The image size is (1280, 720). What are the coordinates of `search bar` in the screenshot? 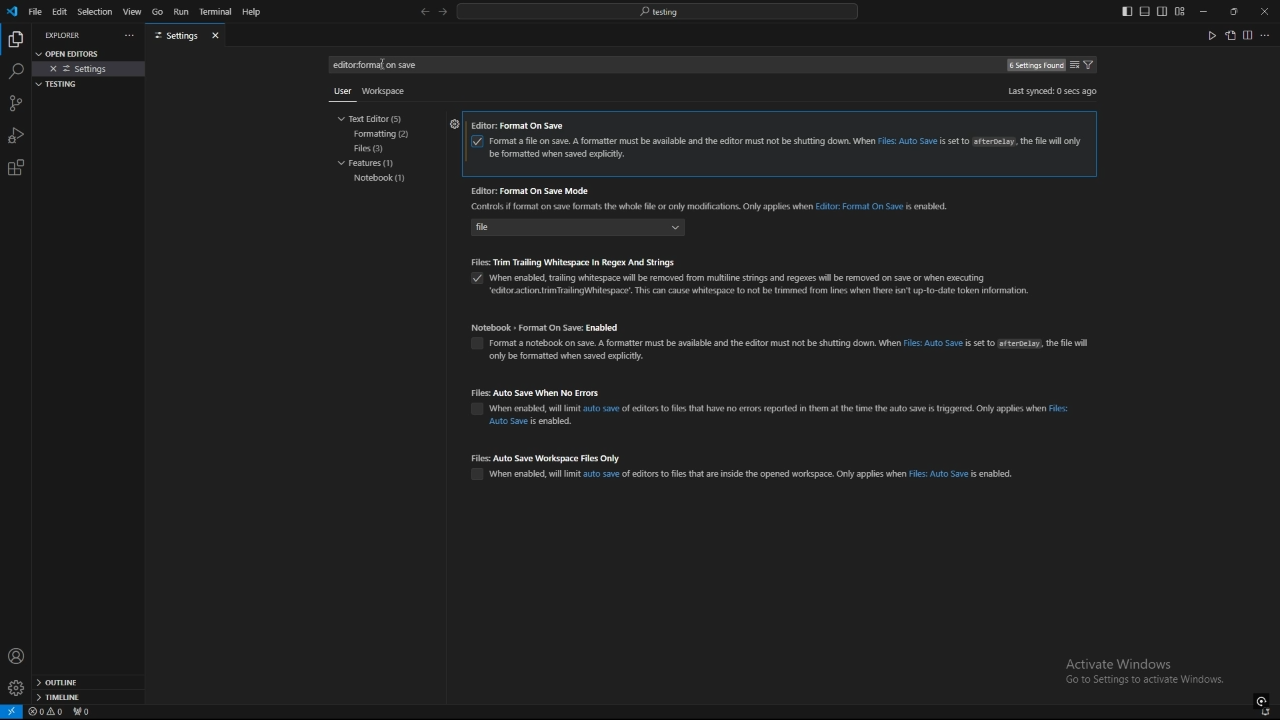 It's located at (657, 11).